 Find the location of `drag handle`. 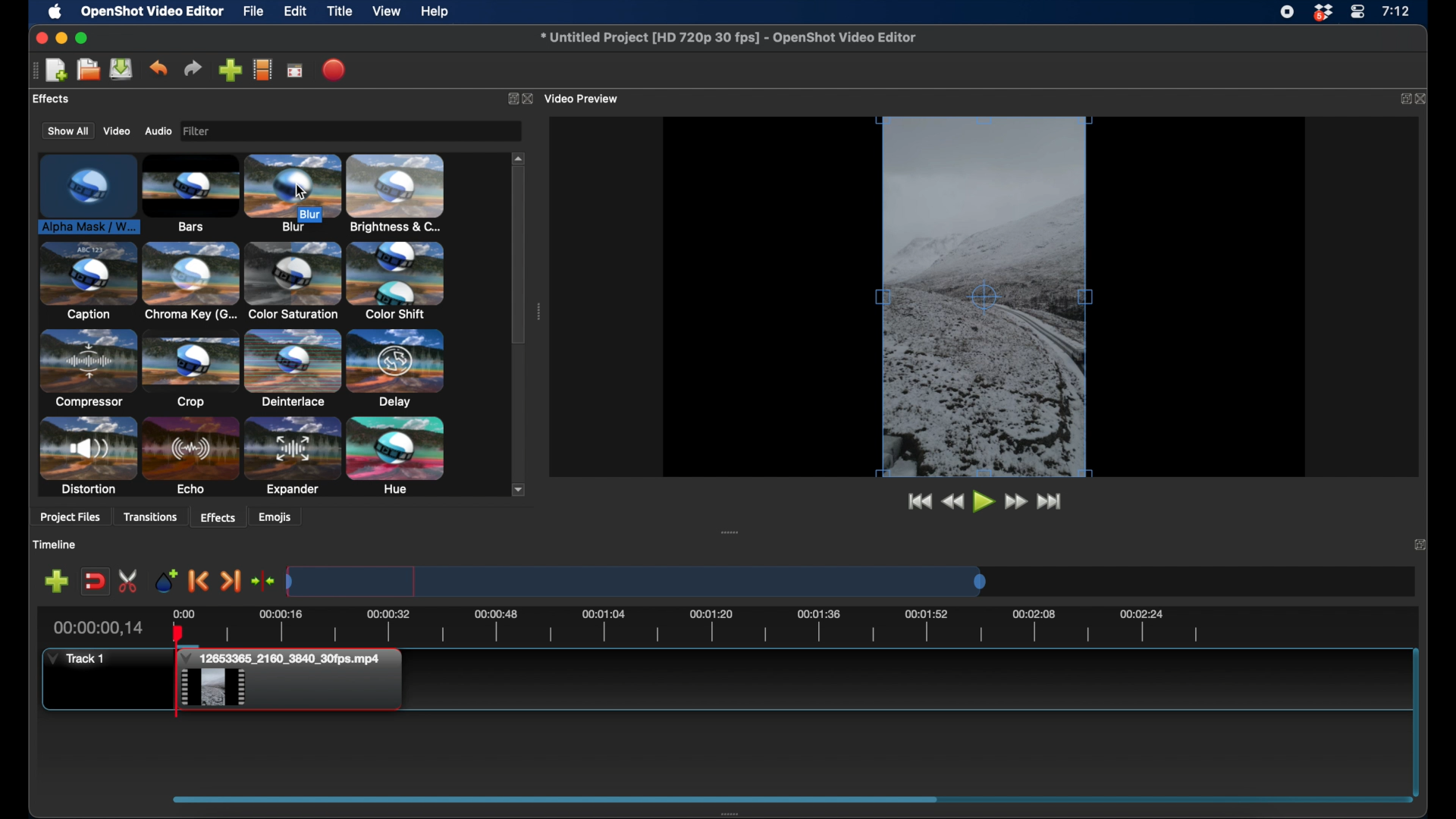

drag handle is located at coordinates (30, 71).